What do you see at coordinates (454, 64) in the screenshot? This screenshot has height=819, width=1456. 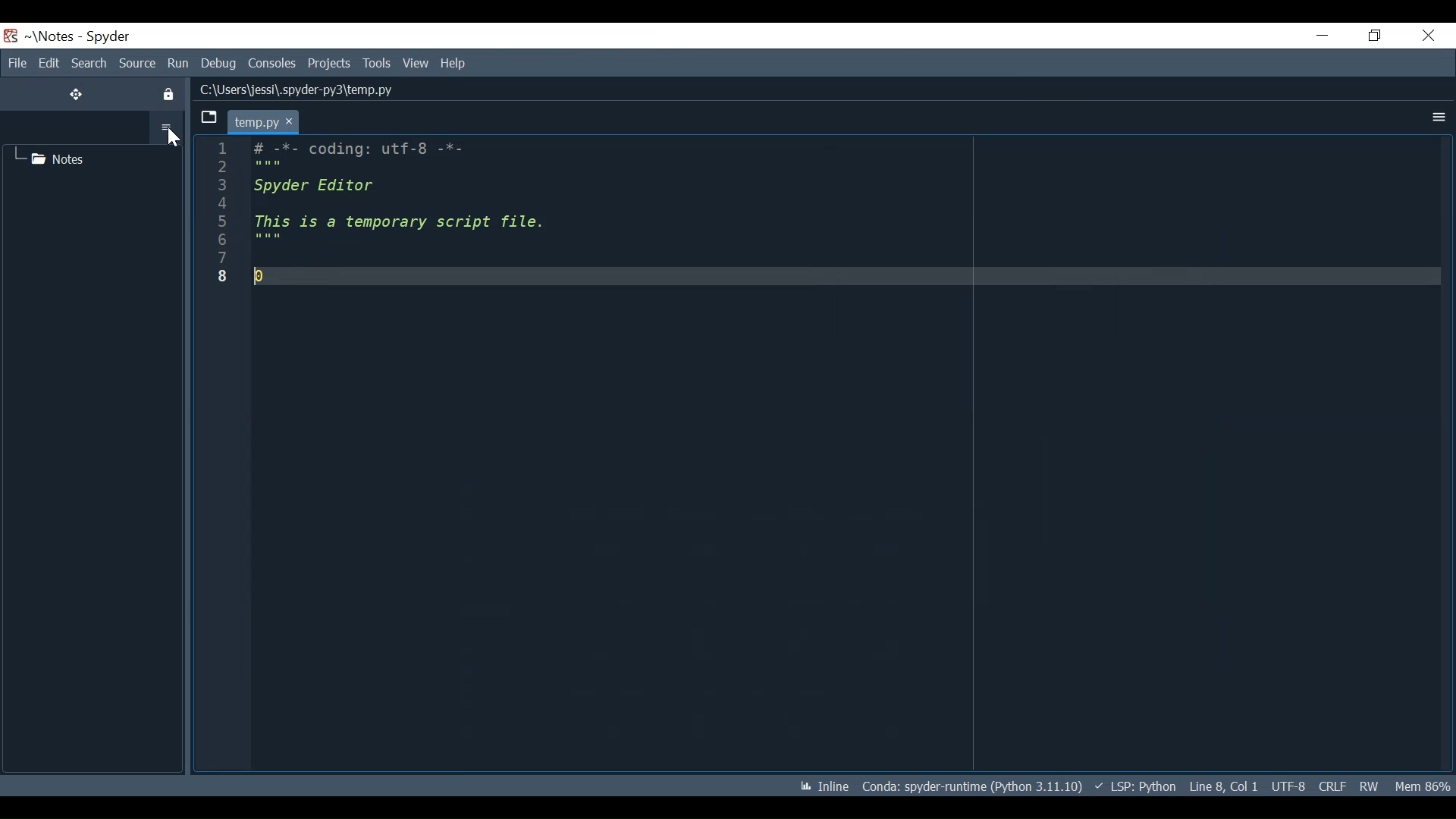 I see `Help` at bounding box center [454, 64].